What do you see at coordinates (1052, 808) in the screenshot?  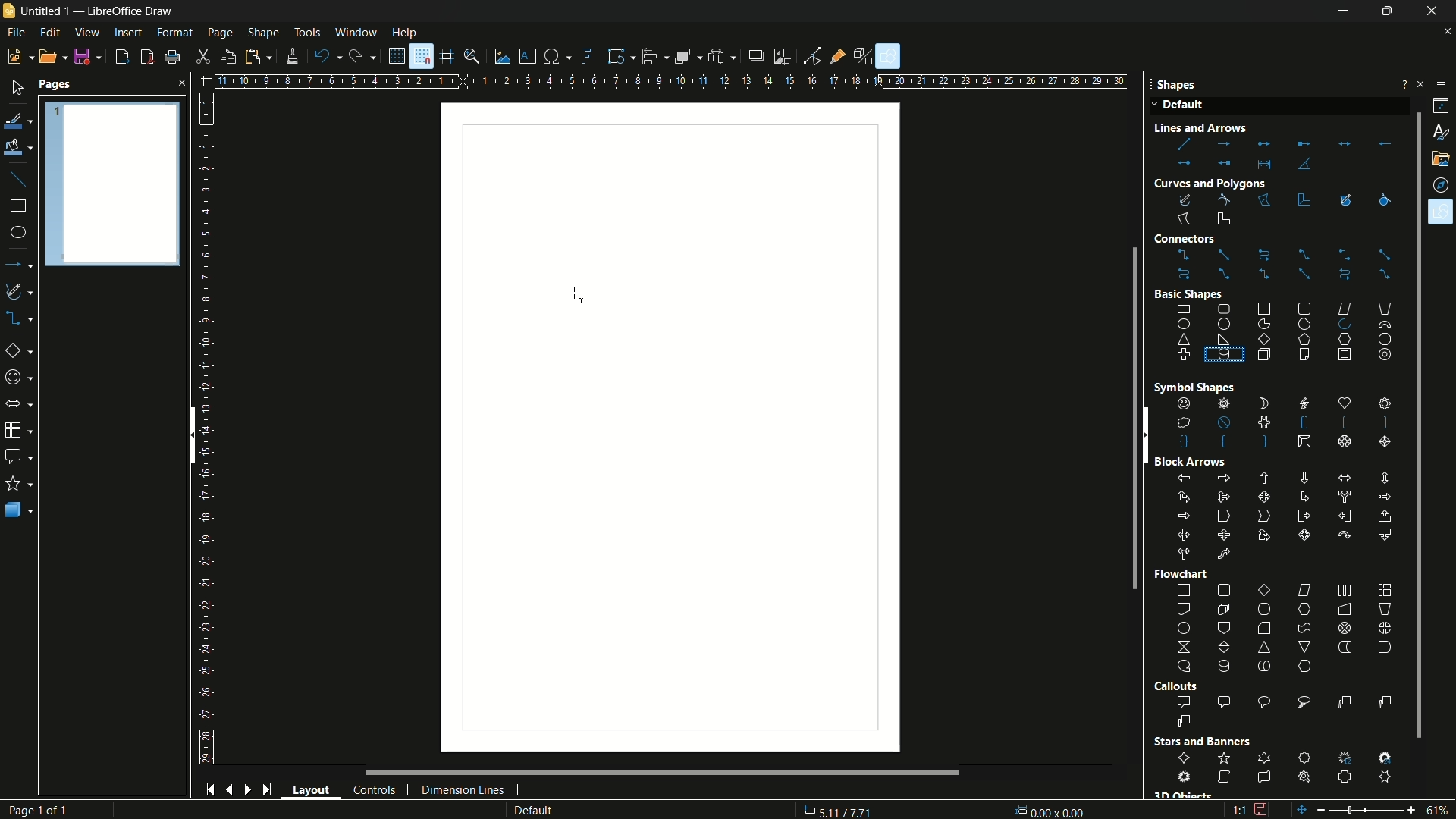 I see `0.00` at bounding box center [1052, 808].